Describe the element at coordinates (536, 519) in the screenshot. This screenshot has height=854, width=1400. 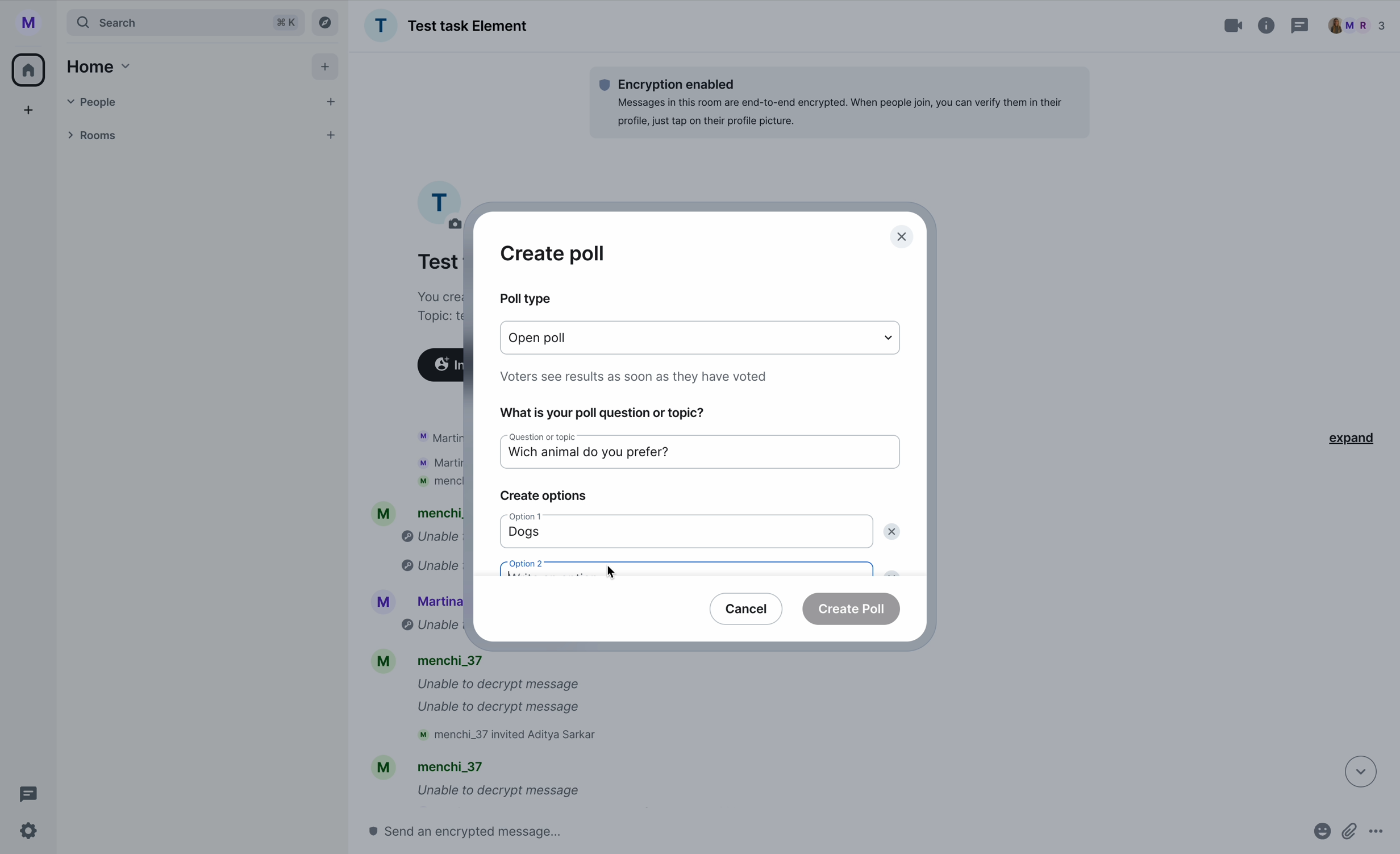
I see `option 1` at that location.